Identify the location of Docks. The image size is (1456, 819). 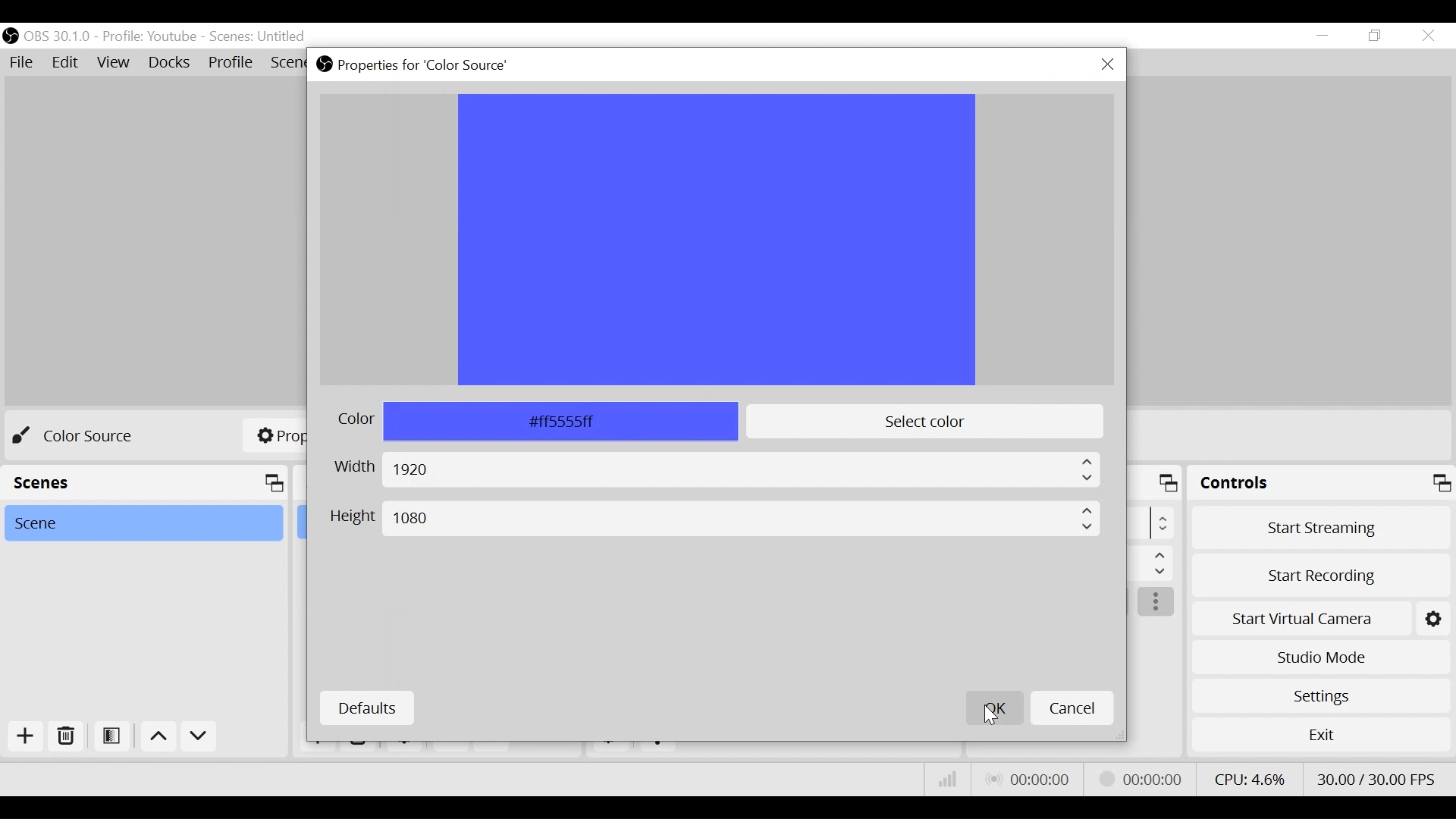
(171, 63).